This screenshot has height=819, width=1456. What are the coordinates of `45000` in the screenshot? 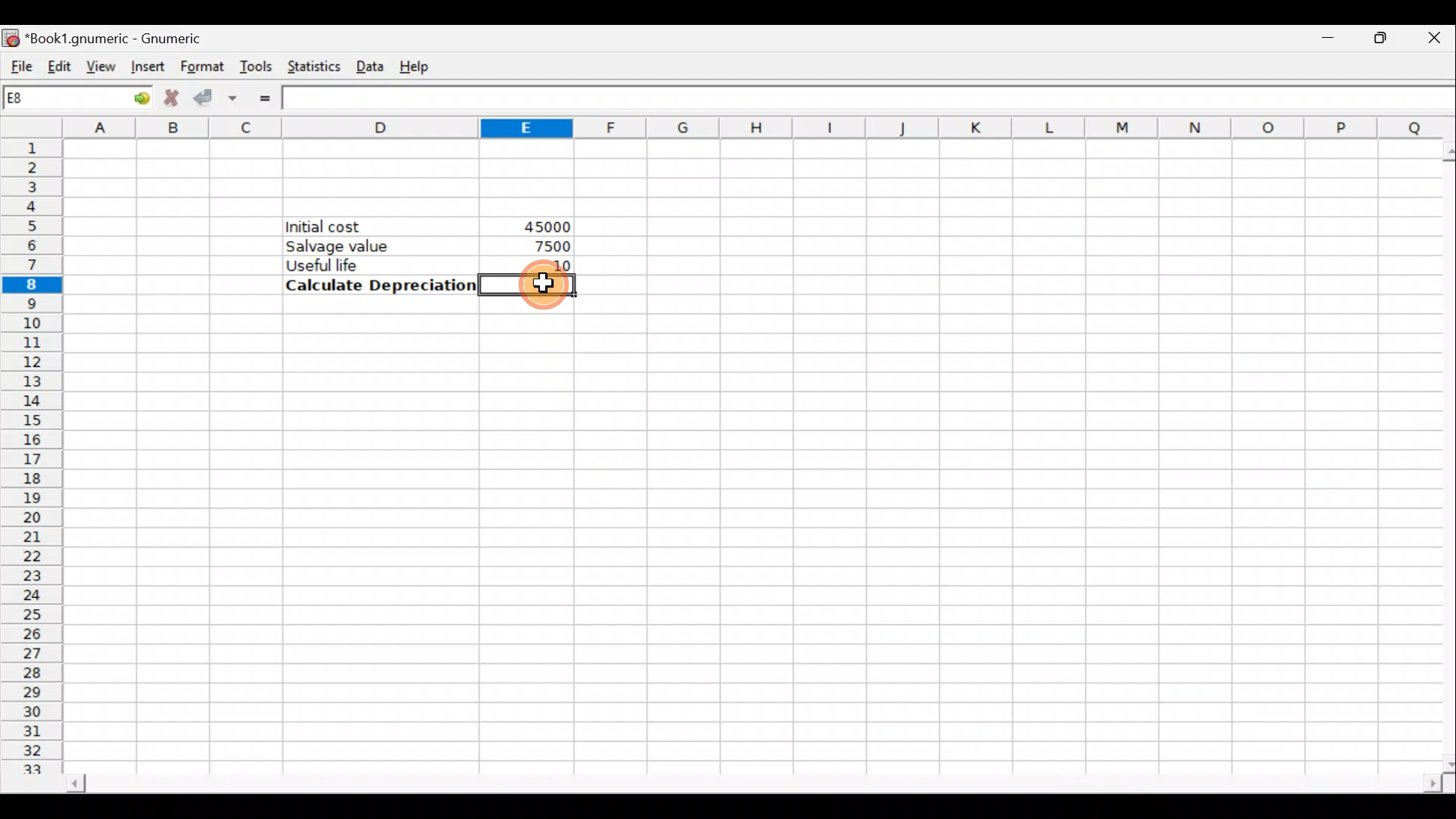 It's located at (542, 225).